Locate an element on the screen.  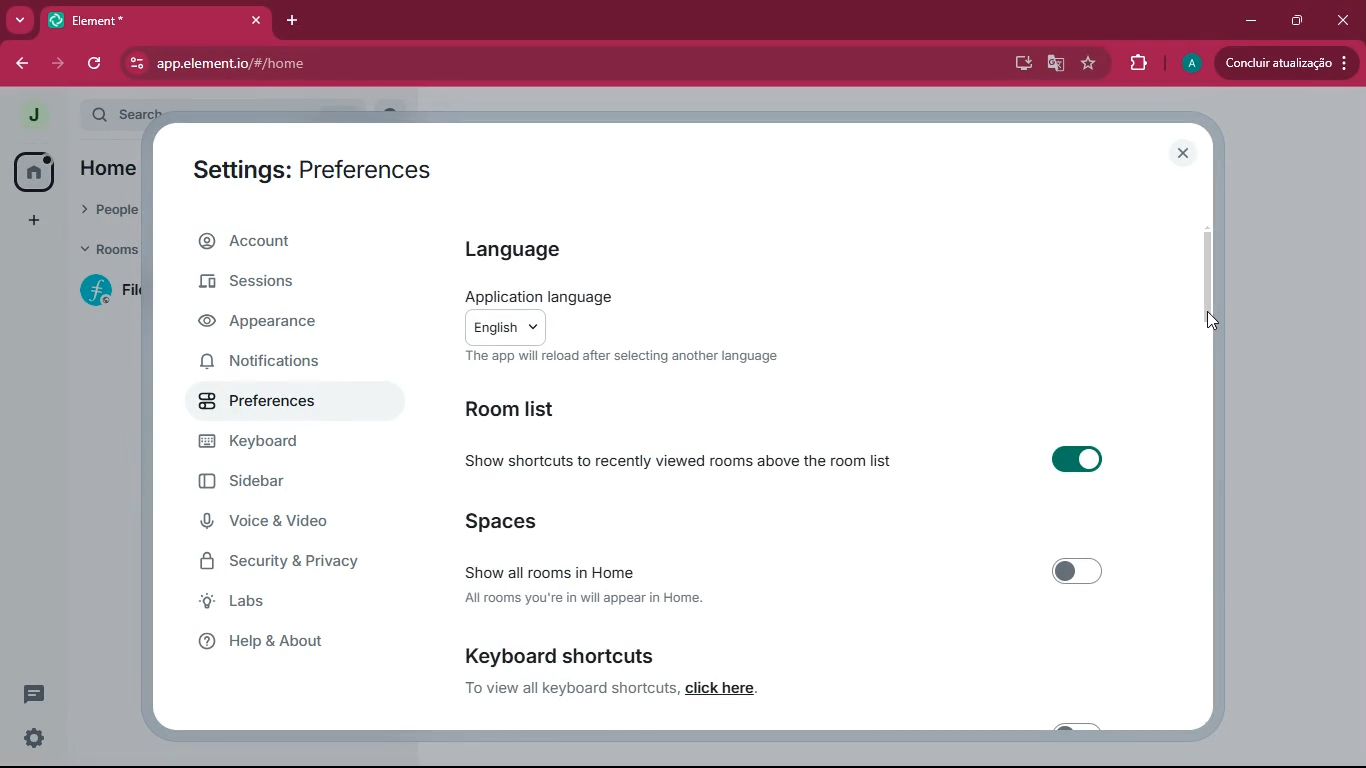
sidebar is located at coordinates (282, 484).